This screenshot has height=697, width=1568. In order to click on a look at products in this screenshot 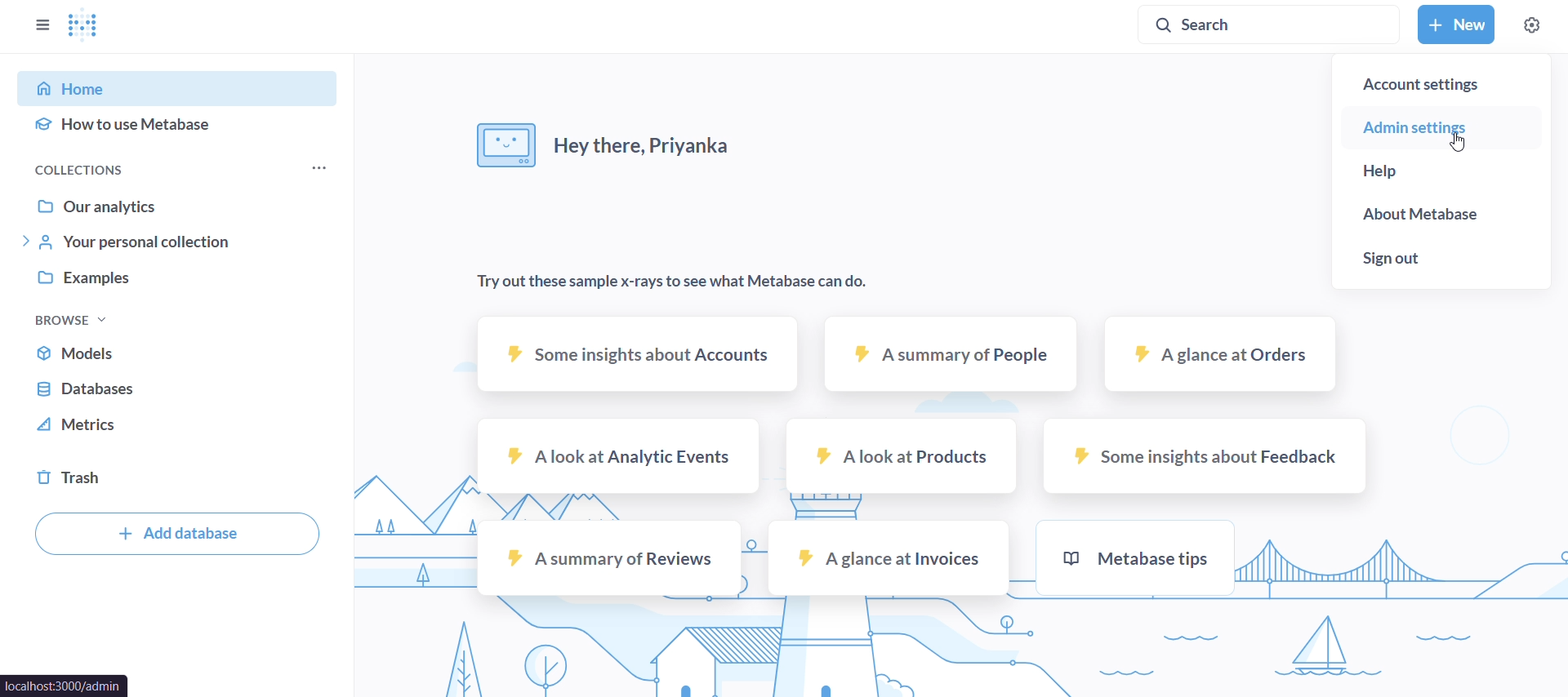, I will do `click(902, 455)`.